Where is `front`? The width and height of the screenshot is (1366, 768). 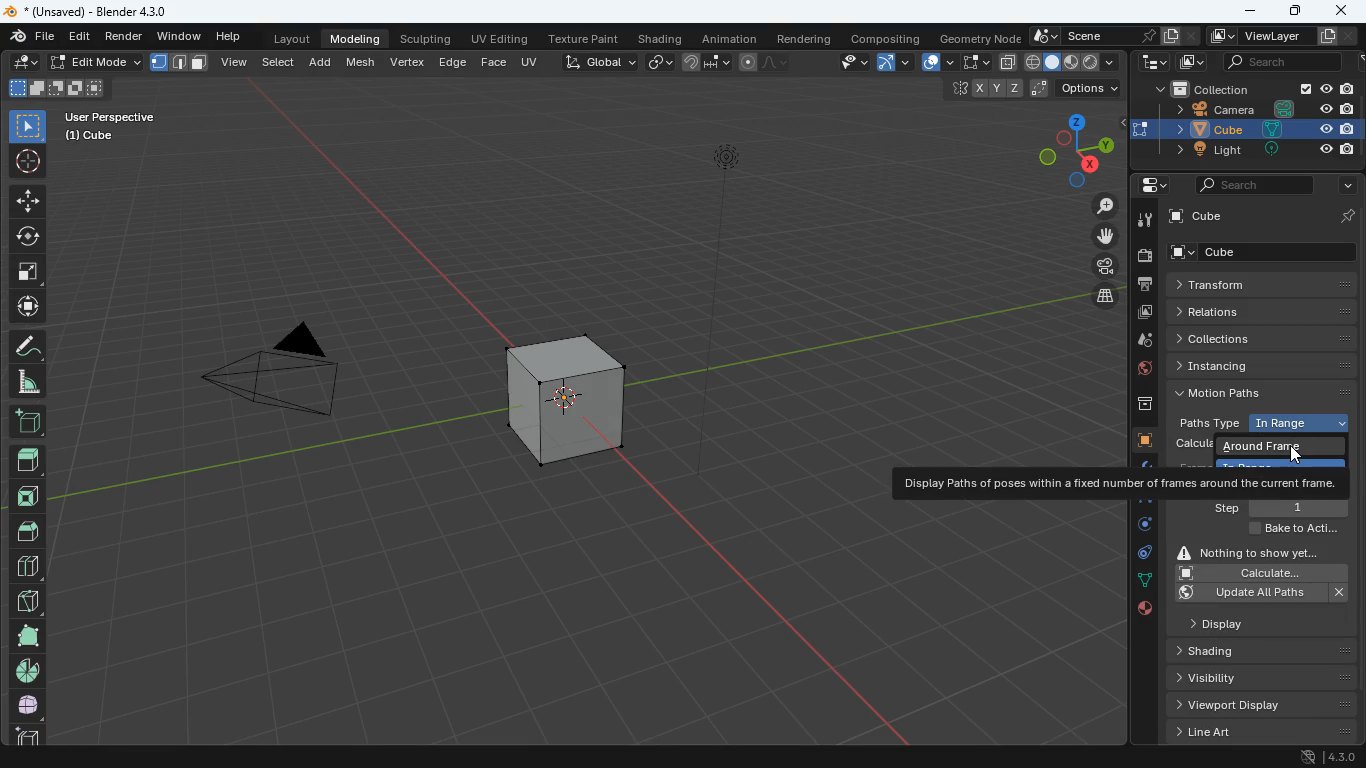
front is located at coordinates (31, 492).